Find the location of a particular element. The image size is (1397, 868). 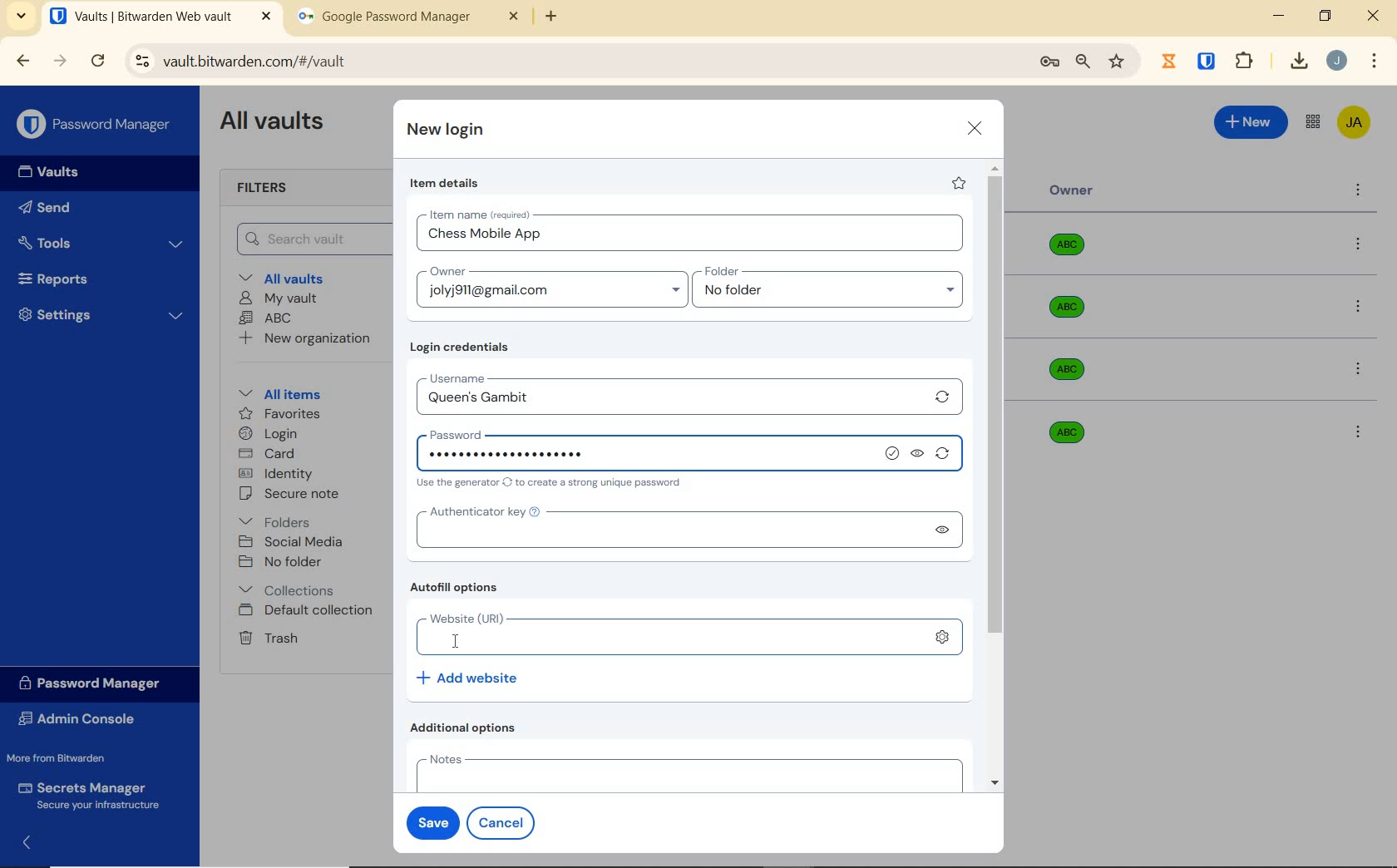

owner is located at coordinates (446, 273).